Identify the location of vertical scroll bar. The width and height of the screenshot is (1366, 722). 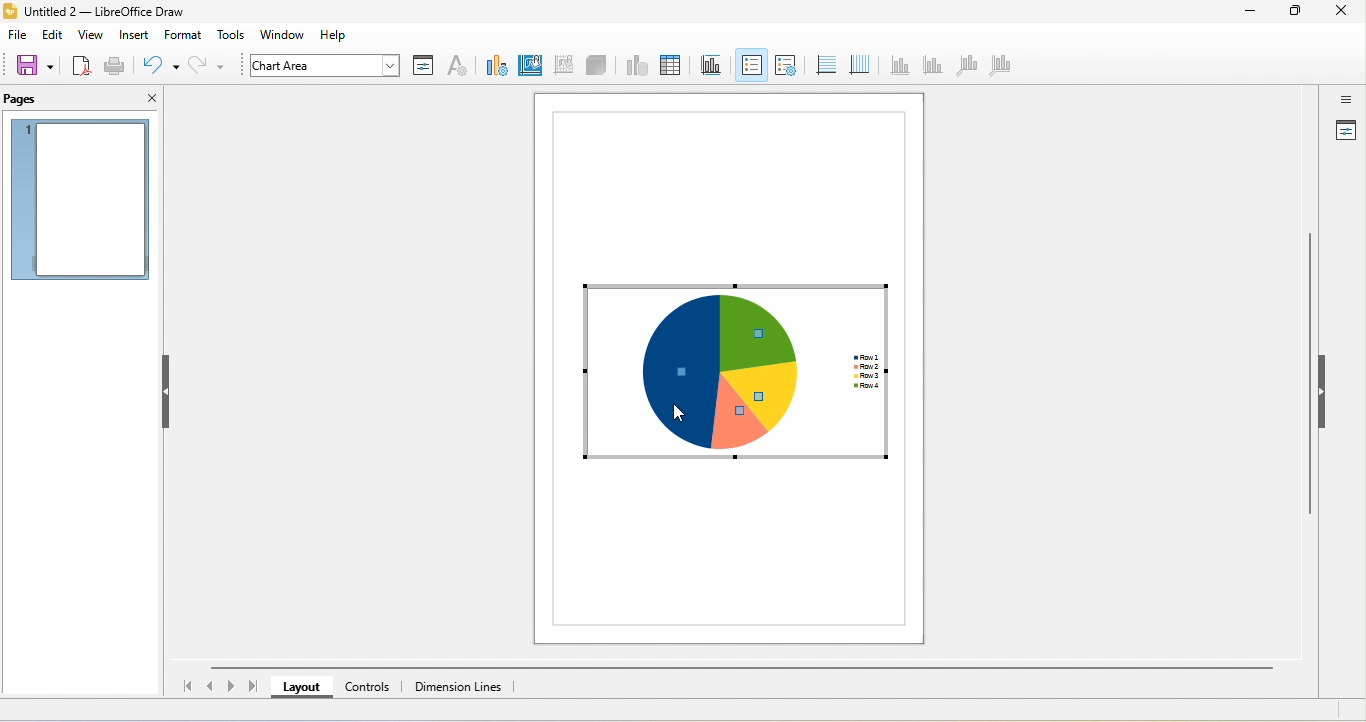
(1310, 380).